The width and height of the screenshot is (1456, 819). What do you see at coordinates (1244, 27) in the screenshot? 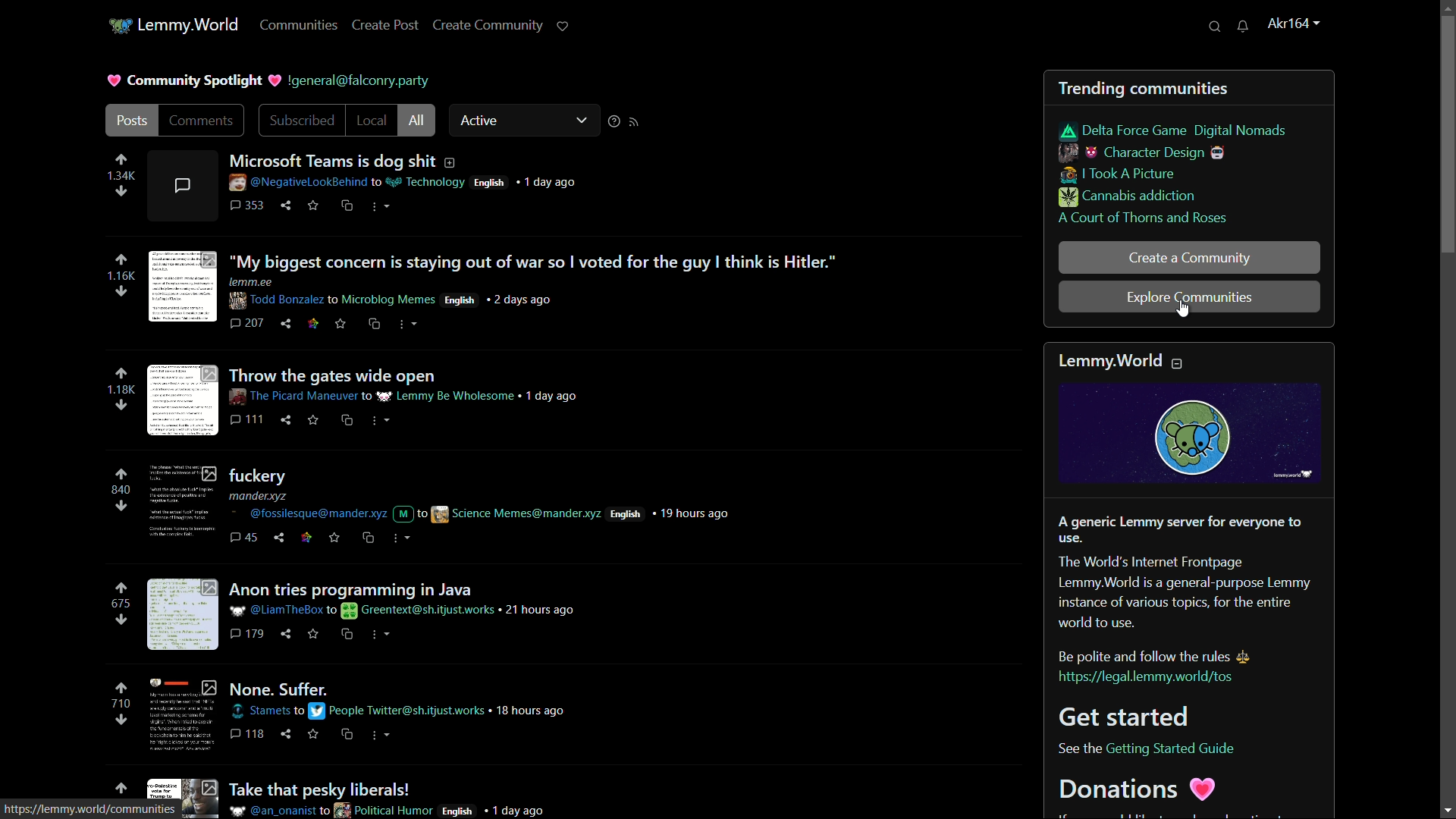
I see `unread messages` at bounding box center [1244, 27].